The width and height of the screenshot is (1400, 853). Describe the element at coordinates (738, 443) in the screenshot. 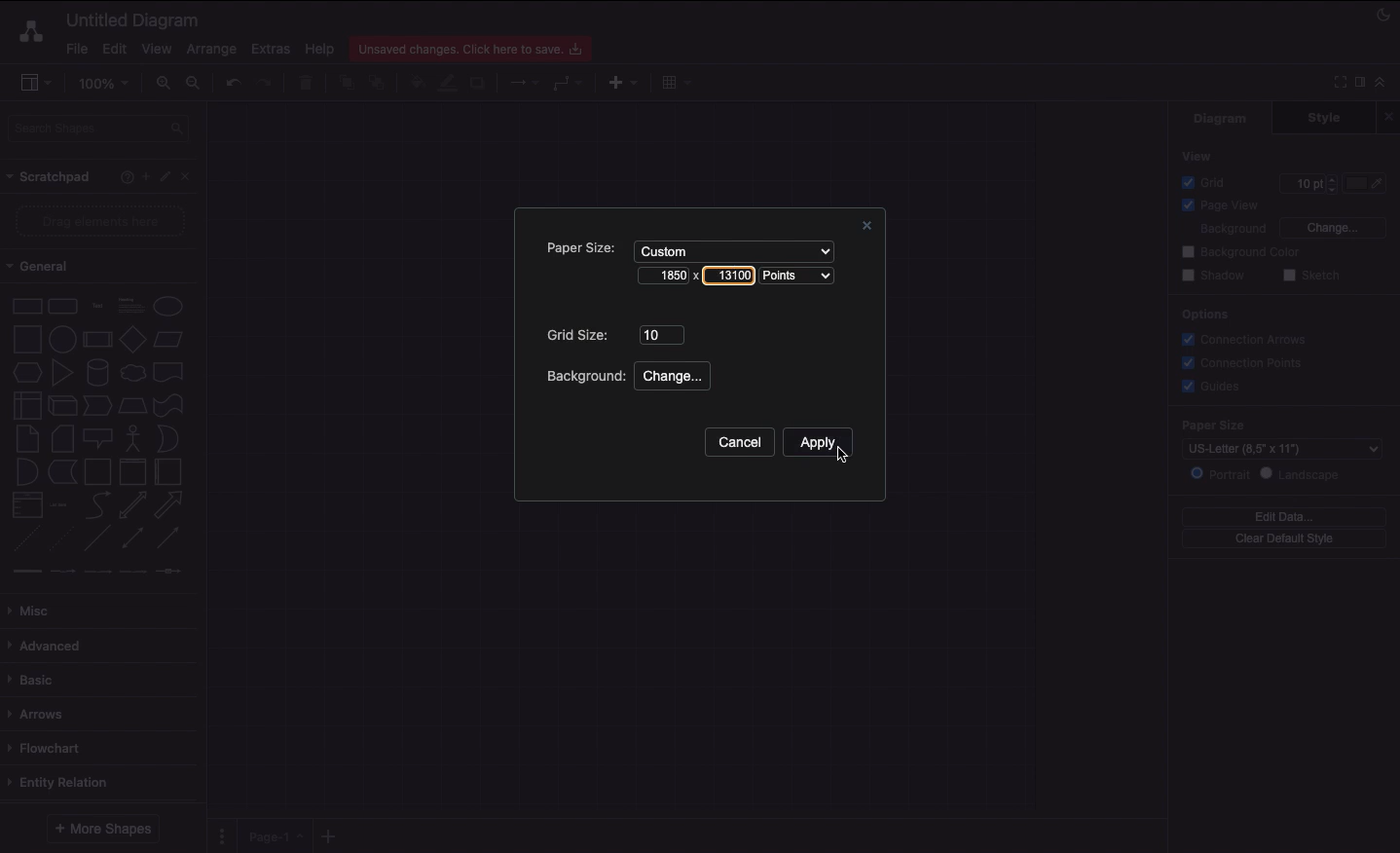

I see `Cancel` at that location.